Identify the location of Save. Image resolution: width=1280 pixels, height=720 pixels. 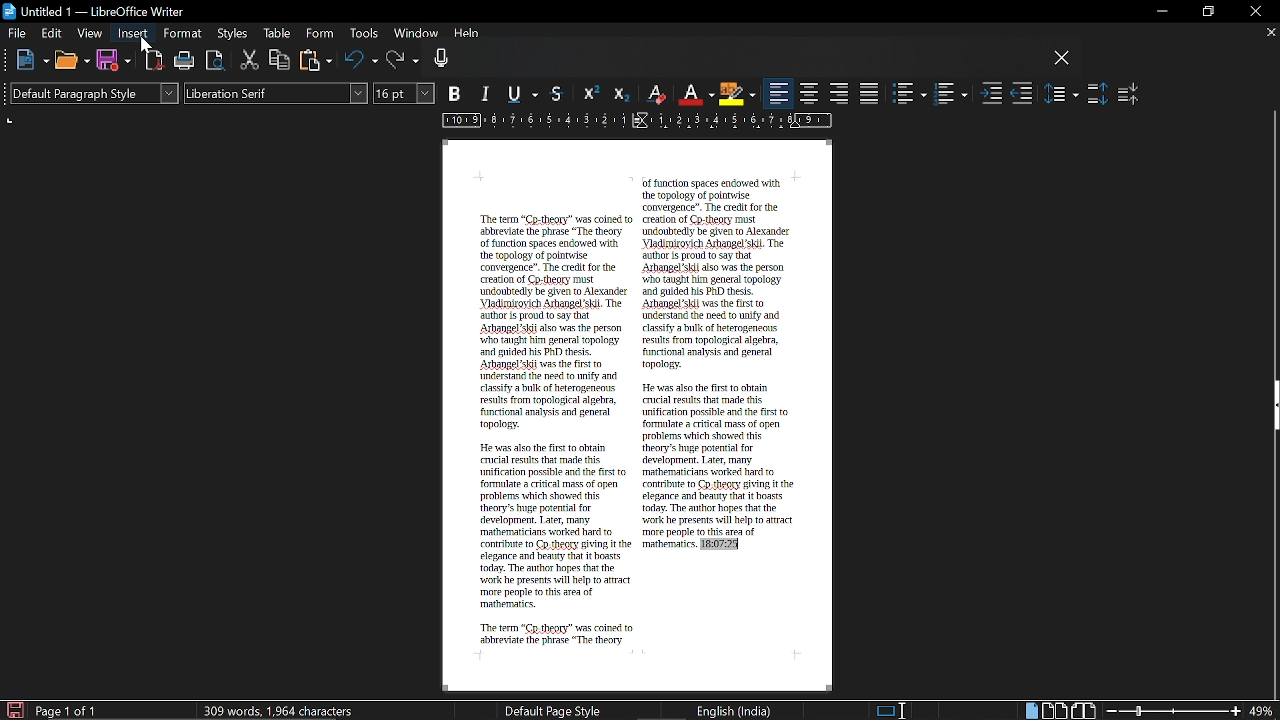
(13, 709).